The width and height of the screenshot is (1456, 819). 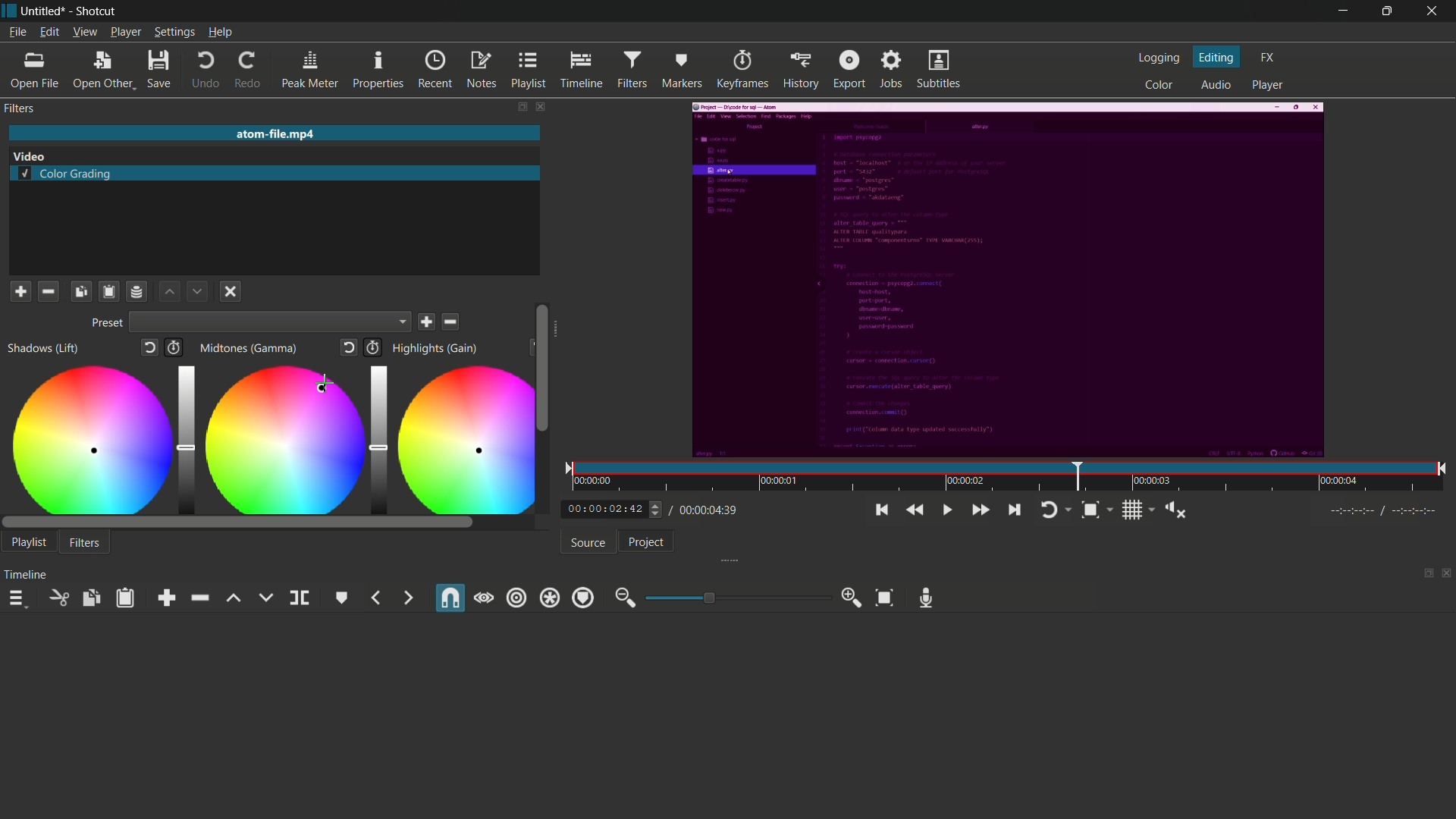 I want to click on quickly play backward, so click(x=912, y=510).